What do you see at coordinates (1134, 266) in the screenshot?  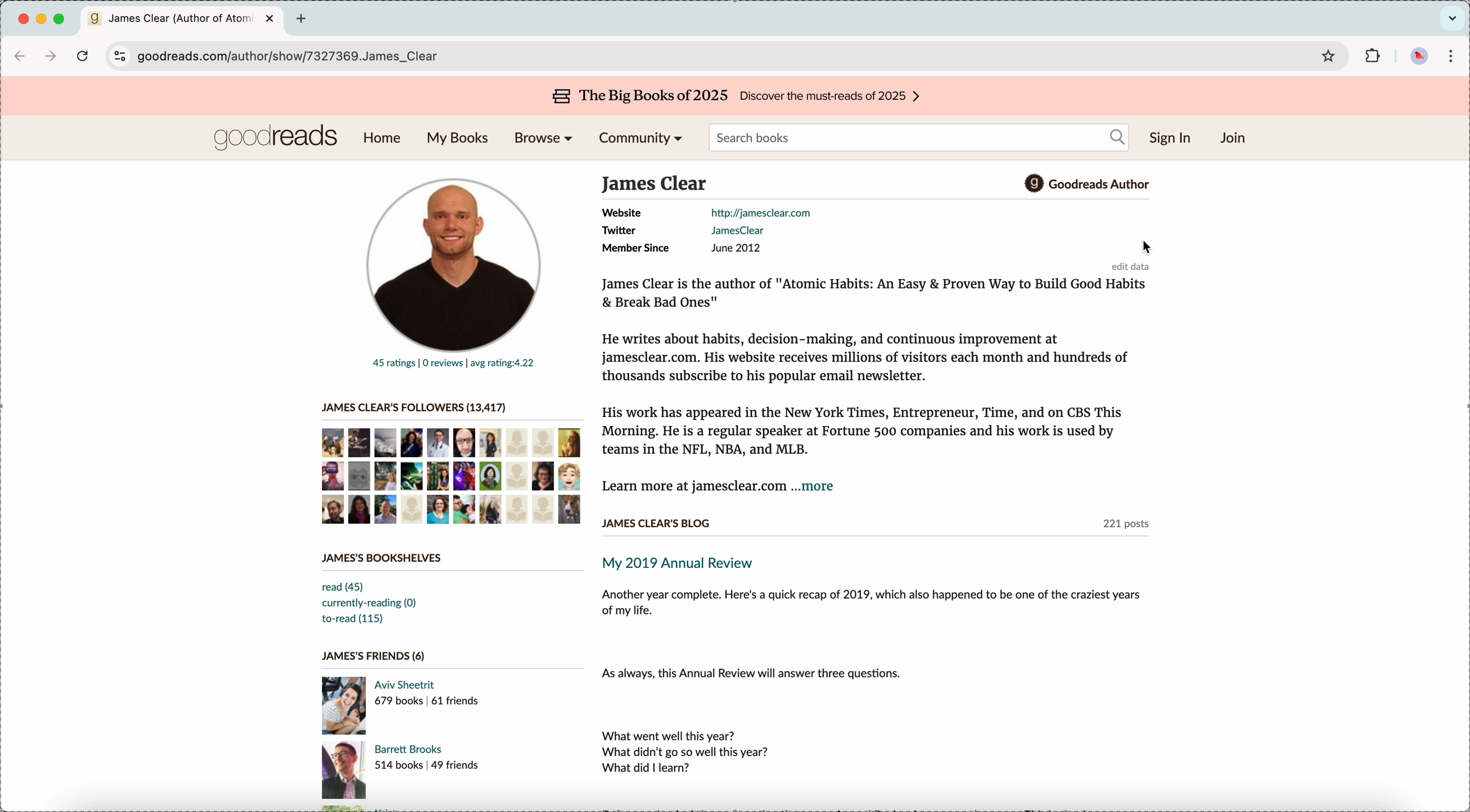 I see `edit data` at bounding box center [1134, 266].